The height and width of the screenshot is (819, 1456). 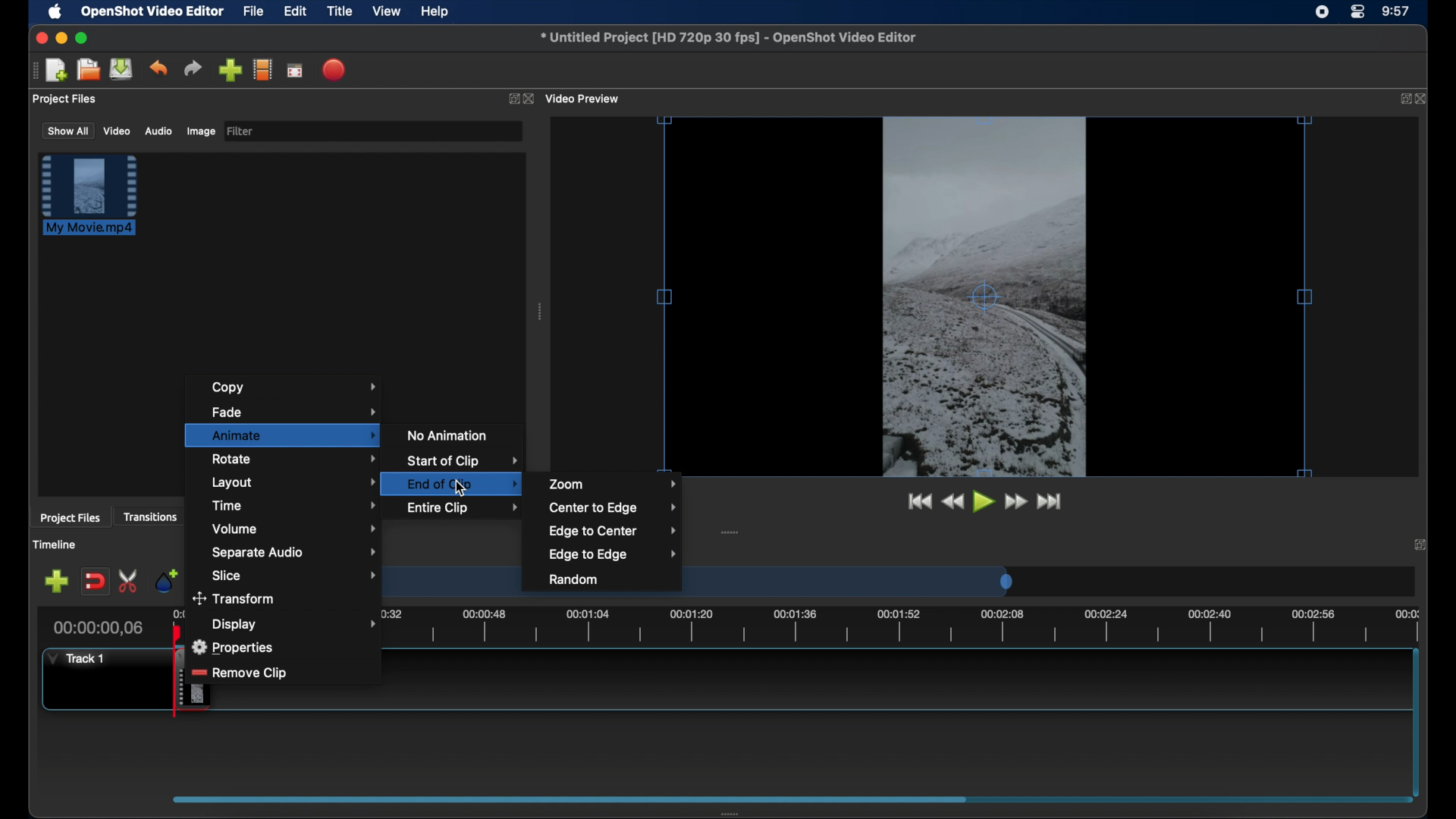 I want to click on drag handle, so click(x=735, y=813).